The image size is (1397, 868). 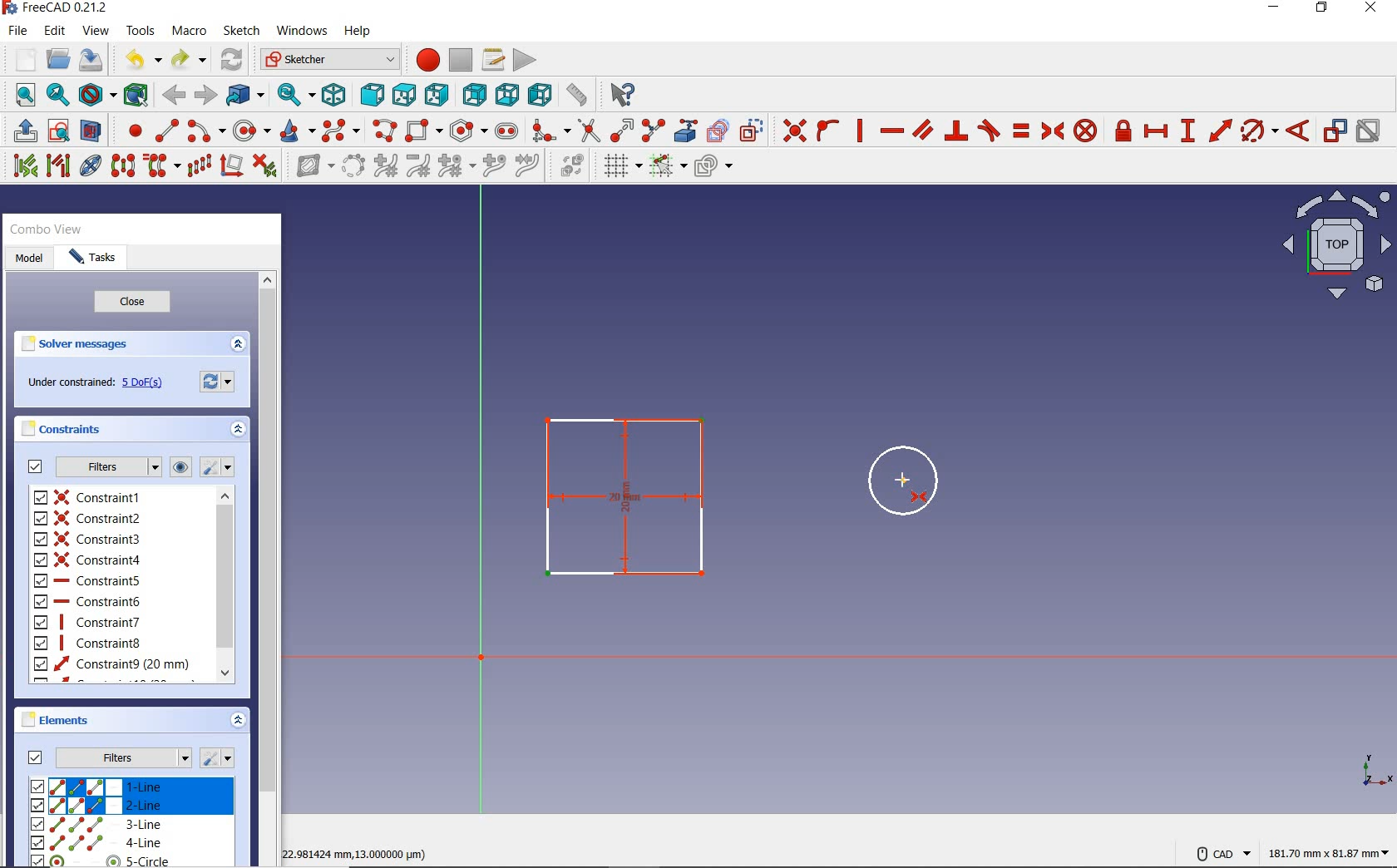 I want to click on show or hide all listed constraints in 3D view, so click(x=181, y=466).